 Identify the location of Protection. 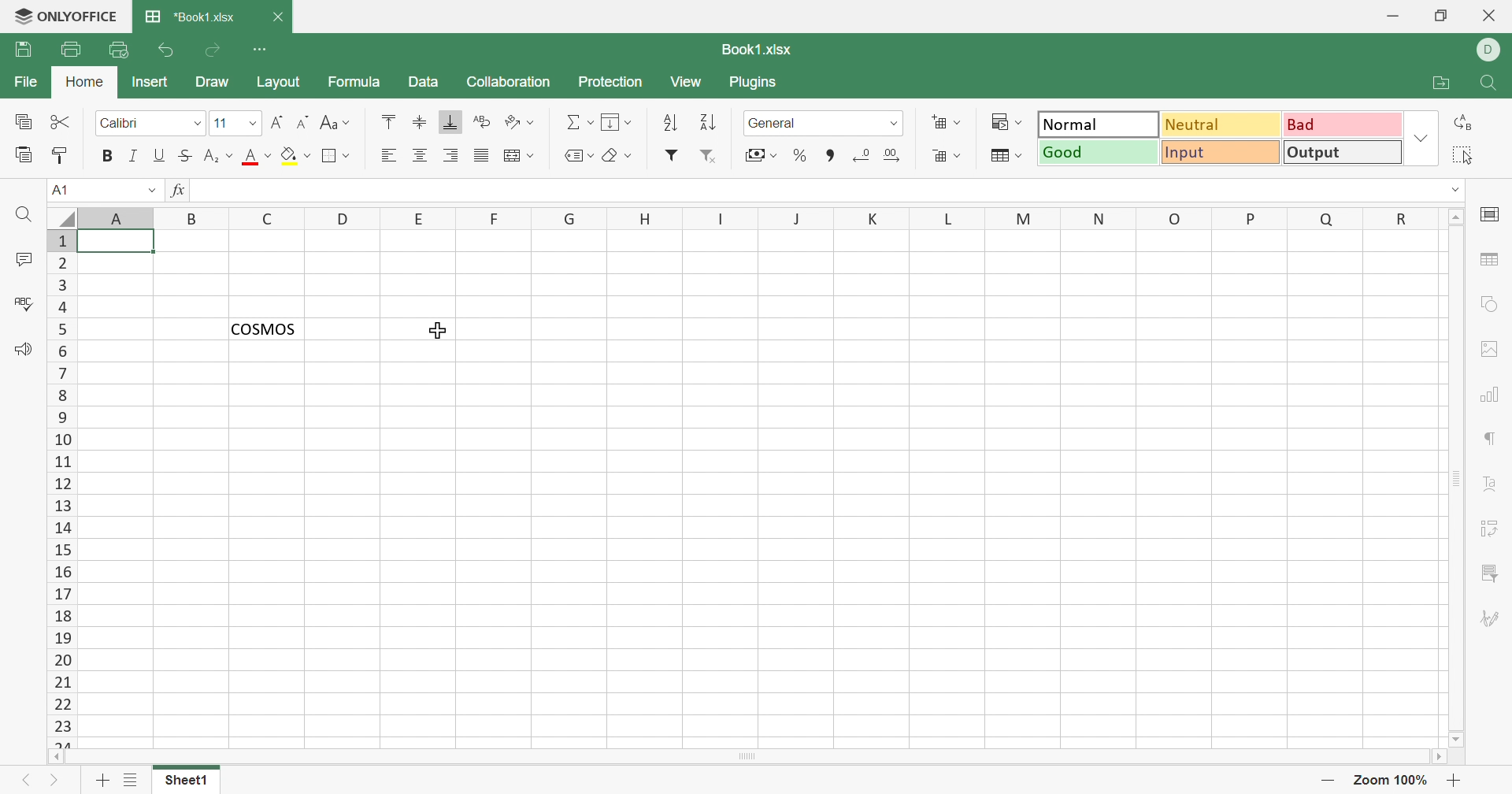
(613, 84).